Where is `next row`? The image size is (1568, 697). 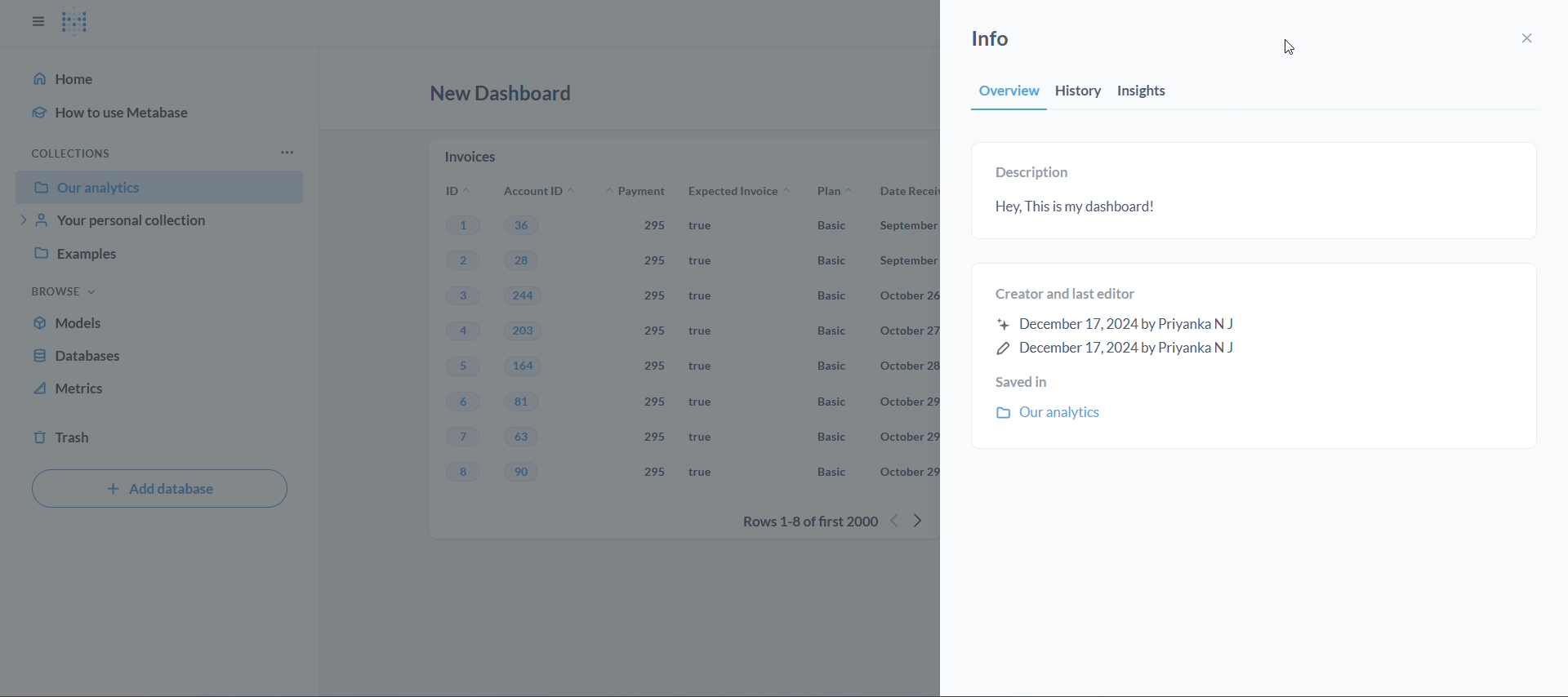
next row is located at coordinates (928, 518).